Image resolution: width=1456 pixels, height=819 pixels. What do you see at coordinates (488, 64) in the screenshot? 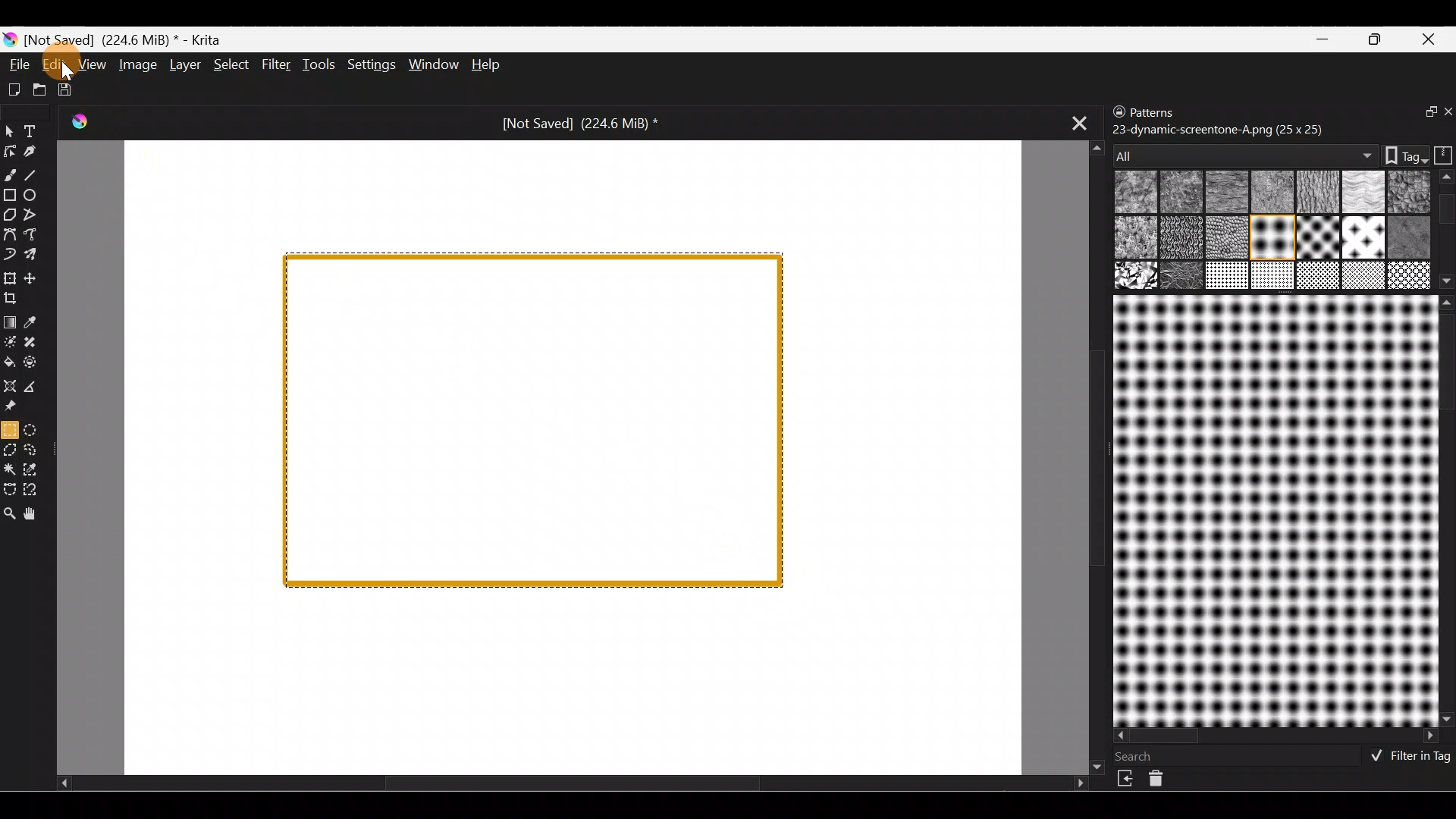
I see `Help` at bounding box center [488, 64].